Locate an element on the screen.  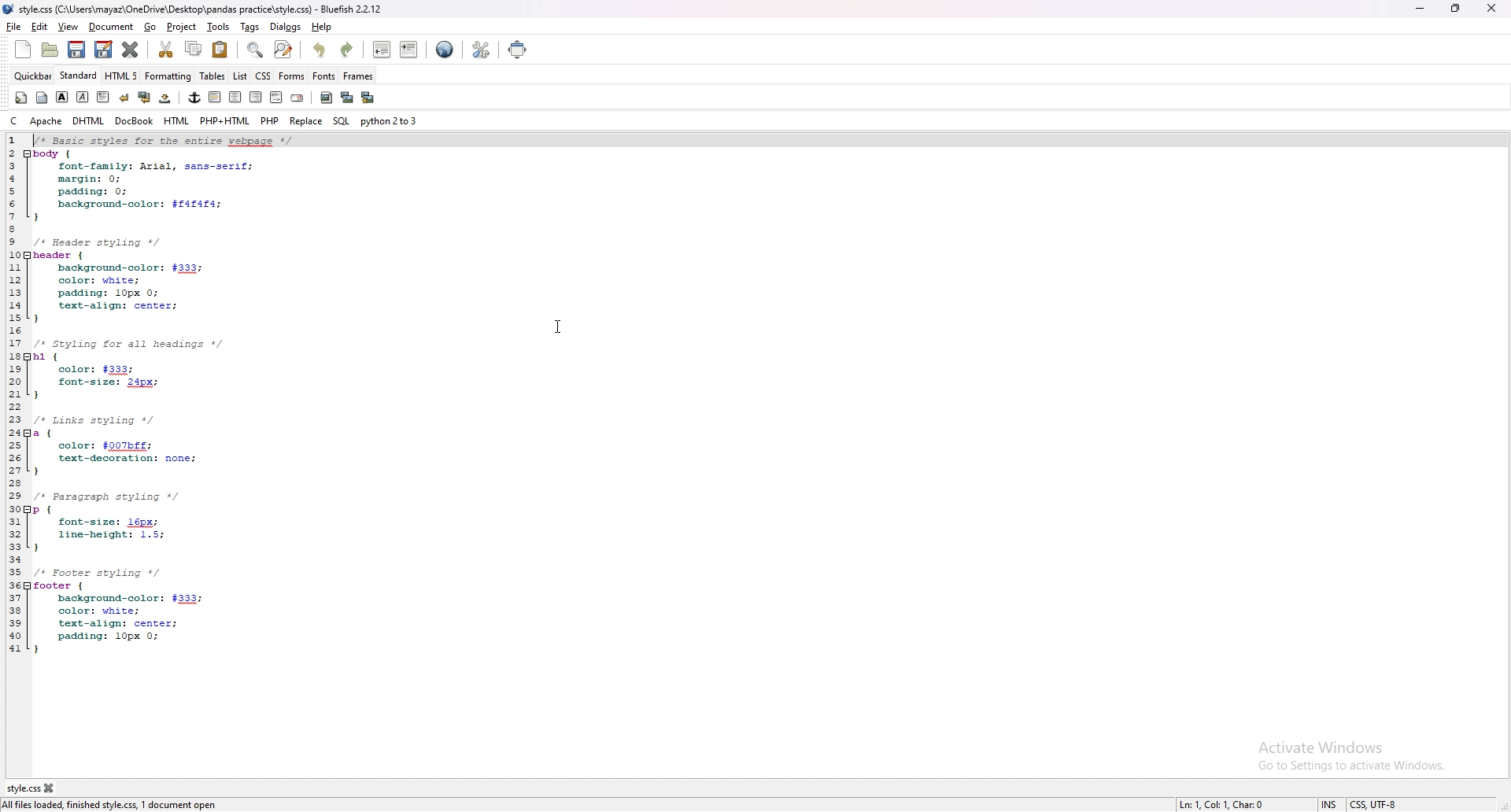
indent is located at coordinates (410, 49).